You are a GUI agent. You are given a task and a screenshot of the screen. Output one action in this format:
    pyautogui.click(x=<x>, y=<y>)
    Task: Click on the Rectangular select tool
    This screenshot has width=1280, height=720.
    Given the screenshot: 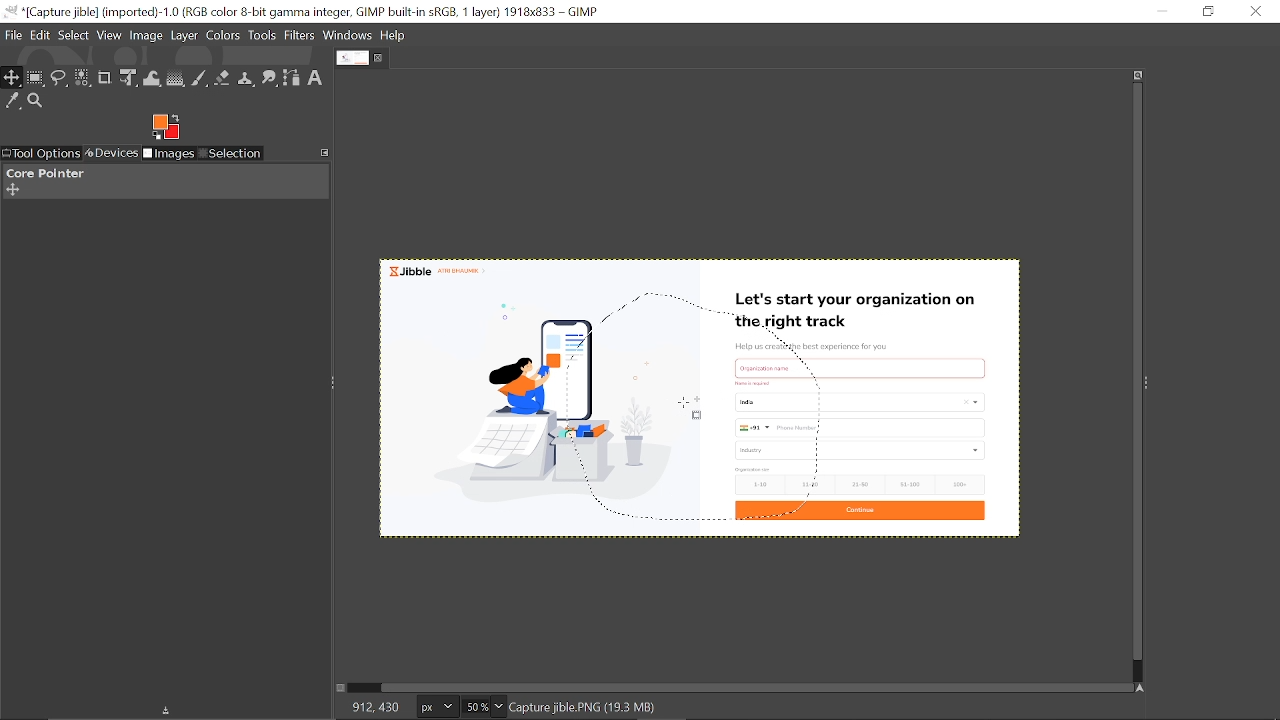 What is the action you would take?
    pyautogui.click(x=36, y=79)
    